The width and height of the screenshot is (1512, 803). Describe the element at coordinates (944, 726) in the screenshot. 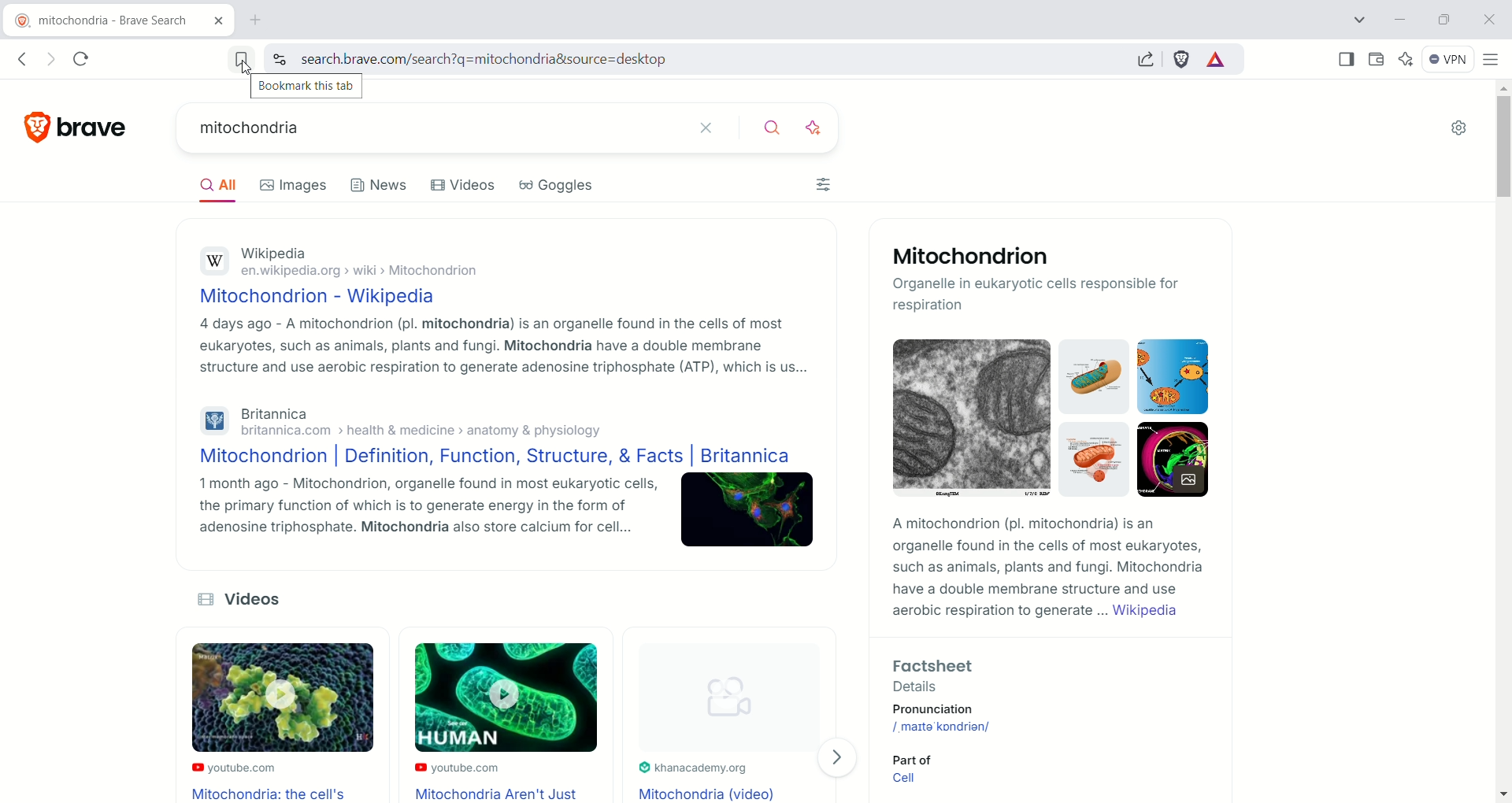

I see `/maita kondrian/` at that location.